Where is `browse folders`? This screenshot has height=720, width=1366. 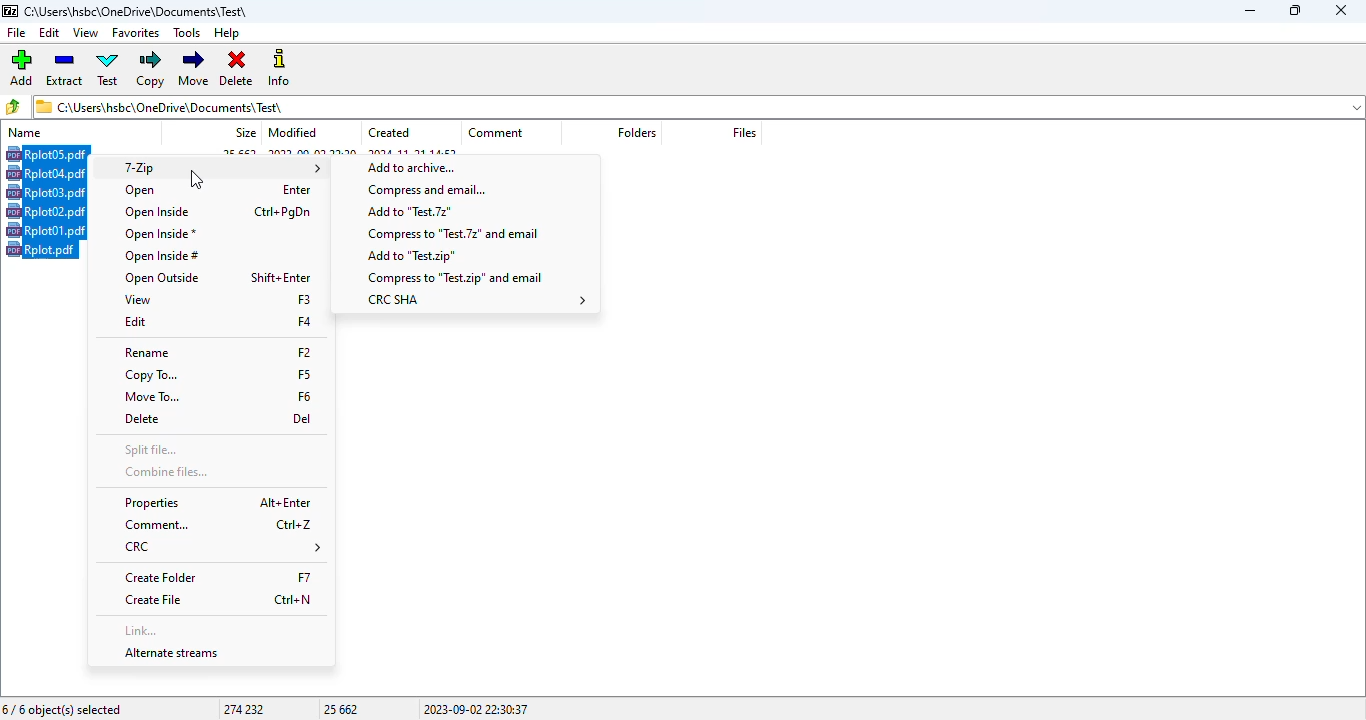 browse folders is located at coordinates (15, 106).